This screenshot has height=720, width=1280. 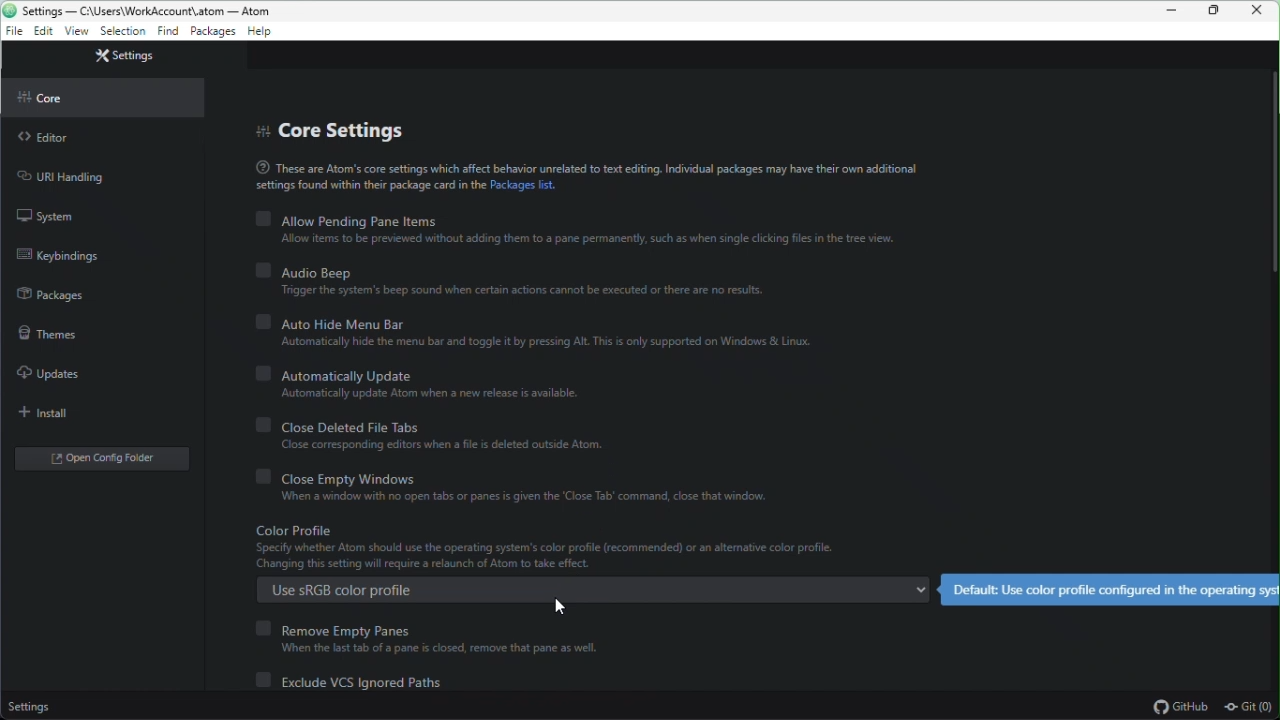 What do you see at coordinates (357, 680) in the screenshot?
I see `Exclude VCS ignored path` at bounding box center [357, 680].